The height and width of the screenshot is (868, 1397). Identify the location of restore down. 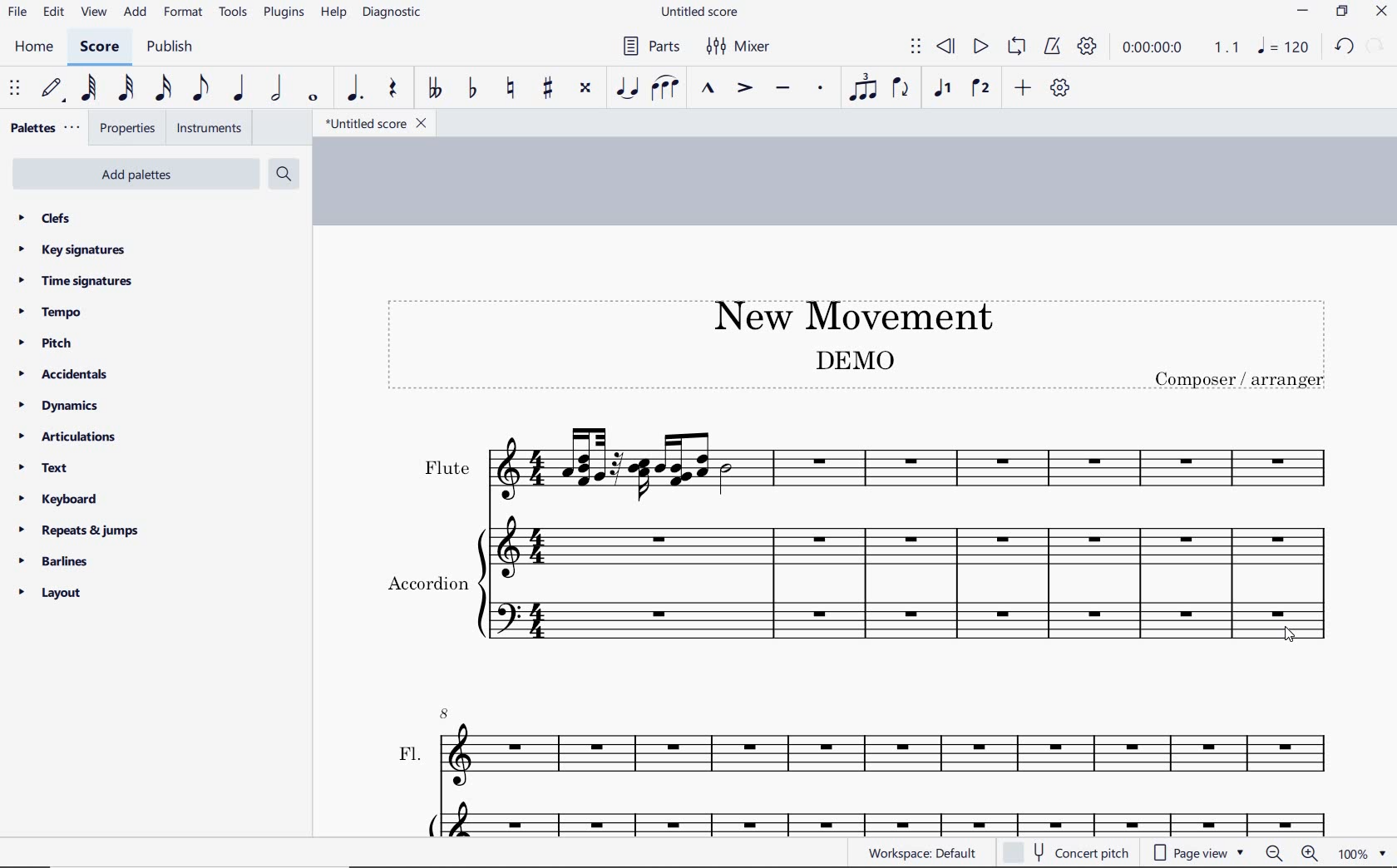
(1343, 12).